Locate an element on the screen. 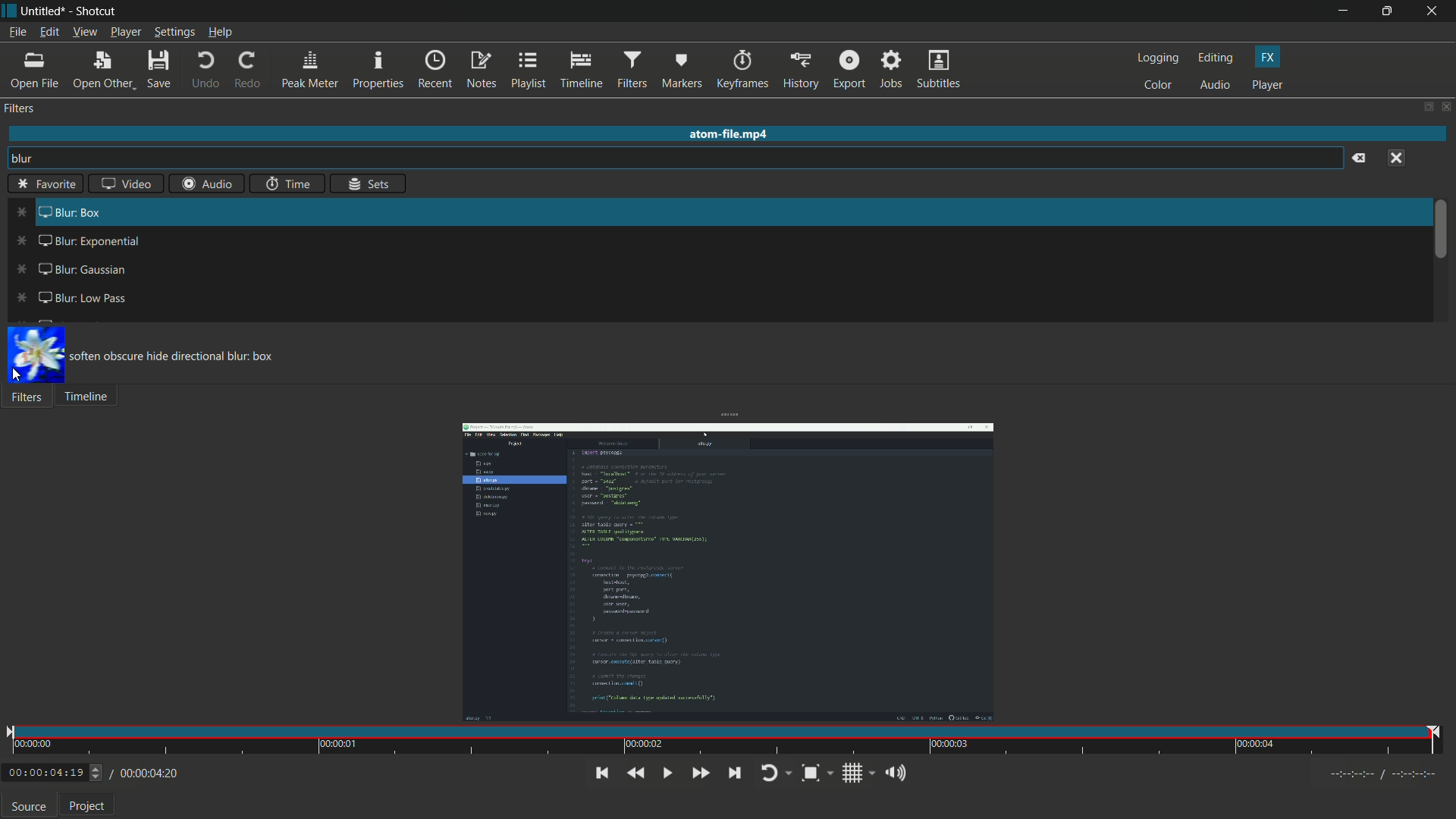  toggle play is located at coordinates (665, 773).